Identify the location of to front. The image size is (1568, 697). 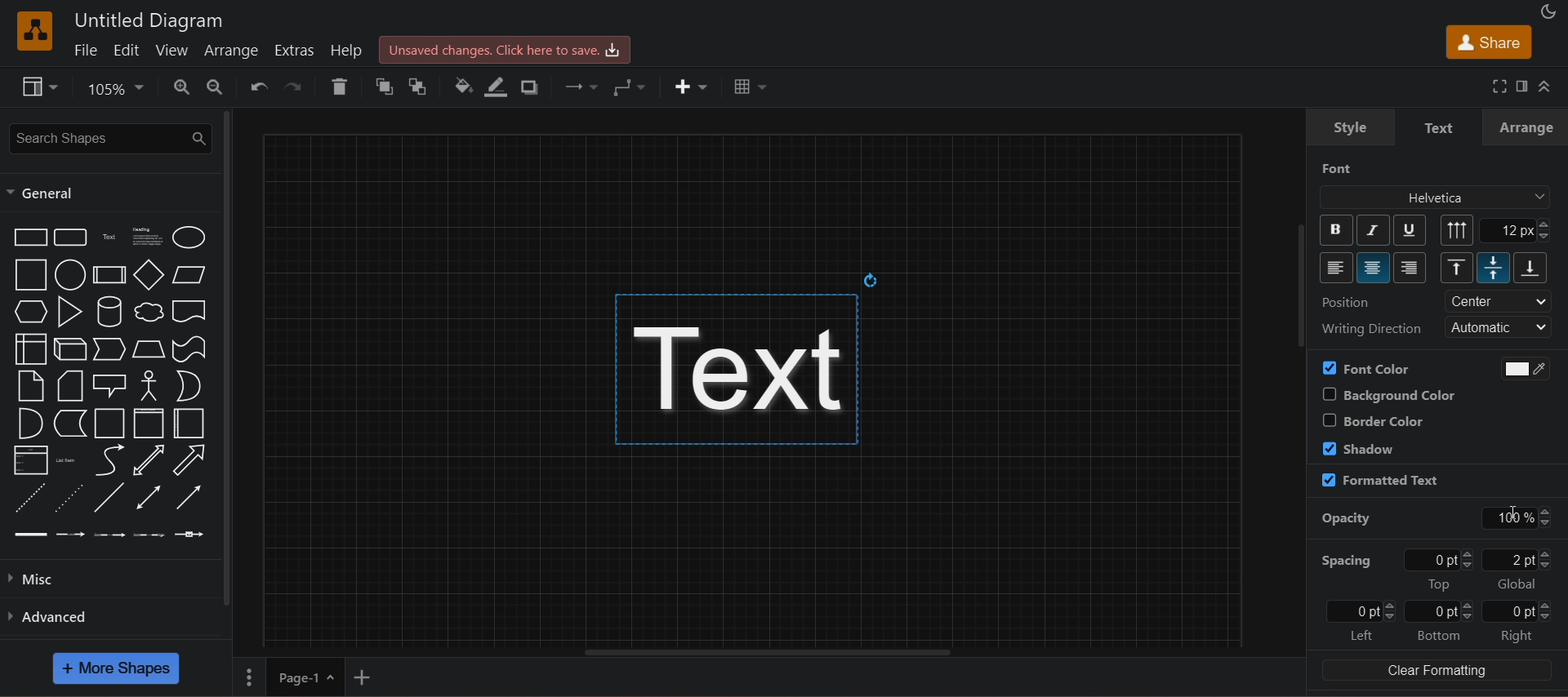
(380, 87).